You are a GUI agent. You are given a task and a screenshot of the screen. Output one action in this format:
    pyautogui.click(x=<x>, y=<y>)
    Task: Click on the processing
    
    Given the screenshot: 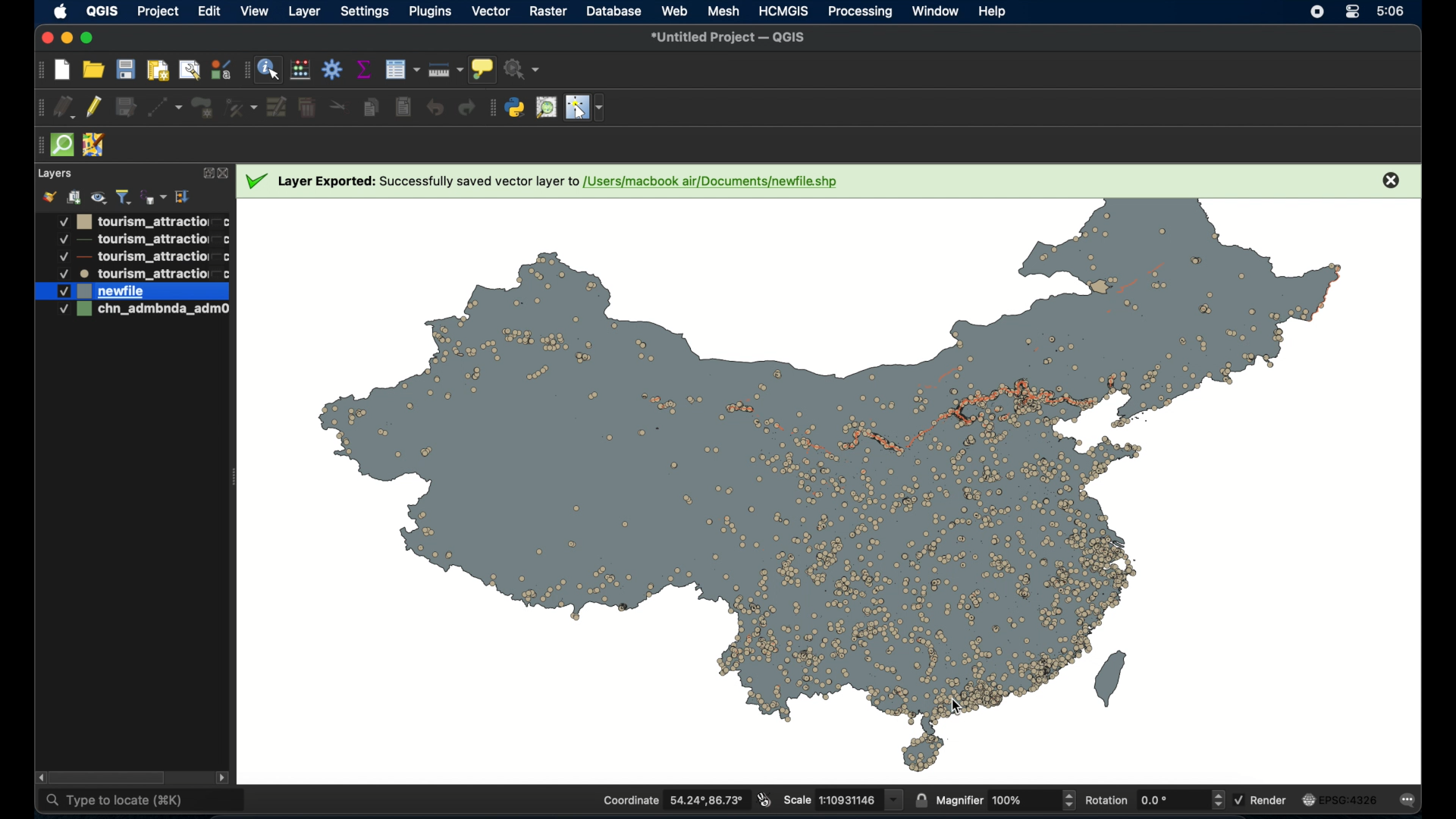 What is the action you would take?
    pyautogui.click(x=859, y=12)
    